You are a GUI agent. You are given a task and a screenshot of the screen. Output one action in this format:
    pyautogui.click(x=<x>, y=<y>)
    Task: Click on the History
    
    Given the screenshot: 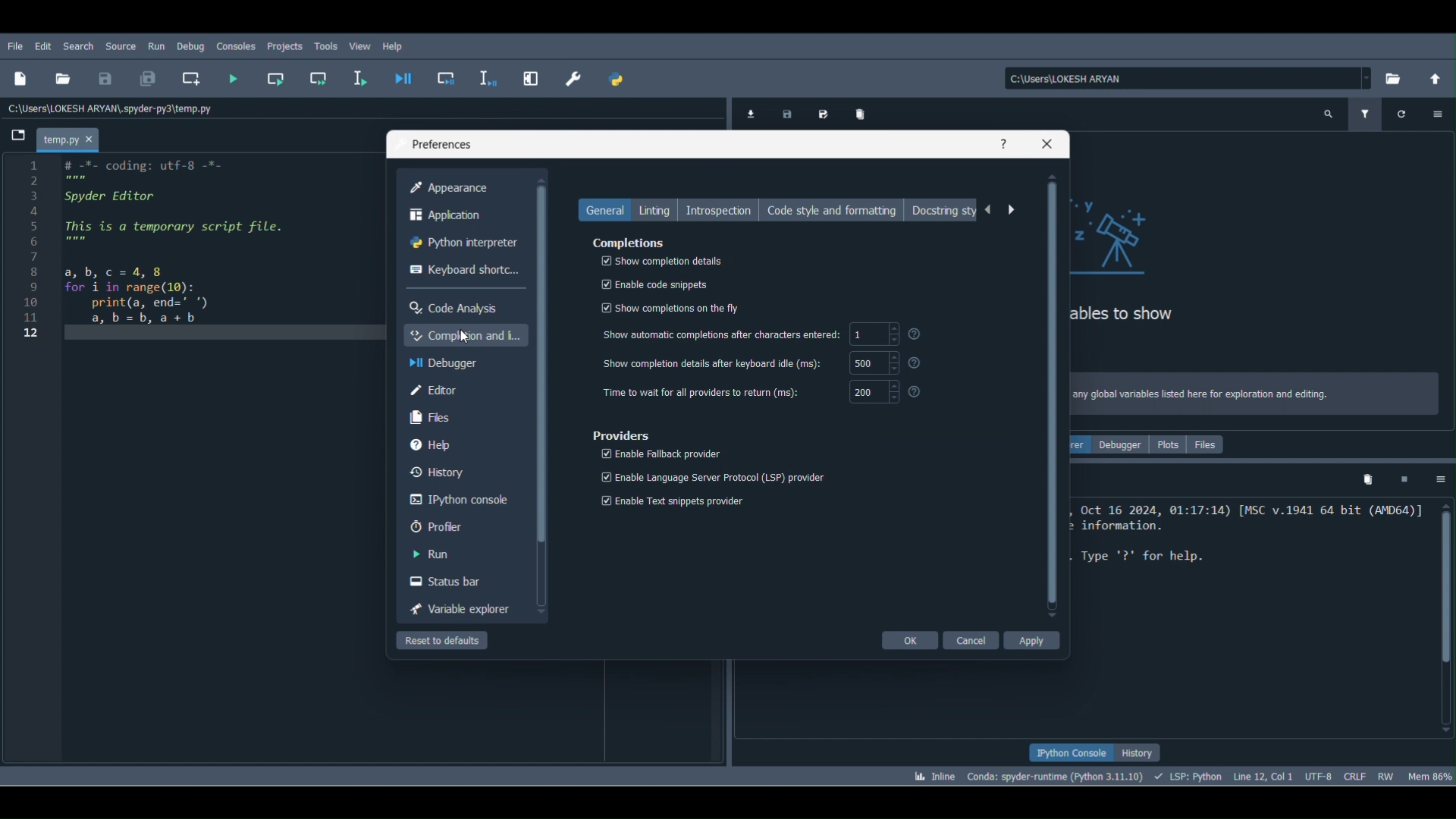 What is the action you would take?
    pyautogui.click(x=441, y=471)
    